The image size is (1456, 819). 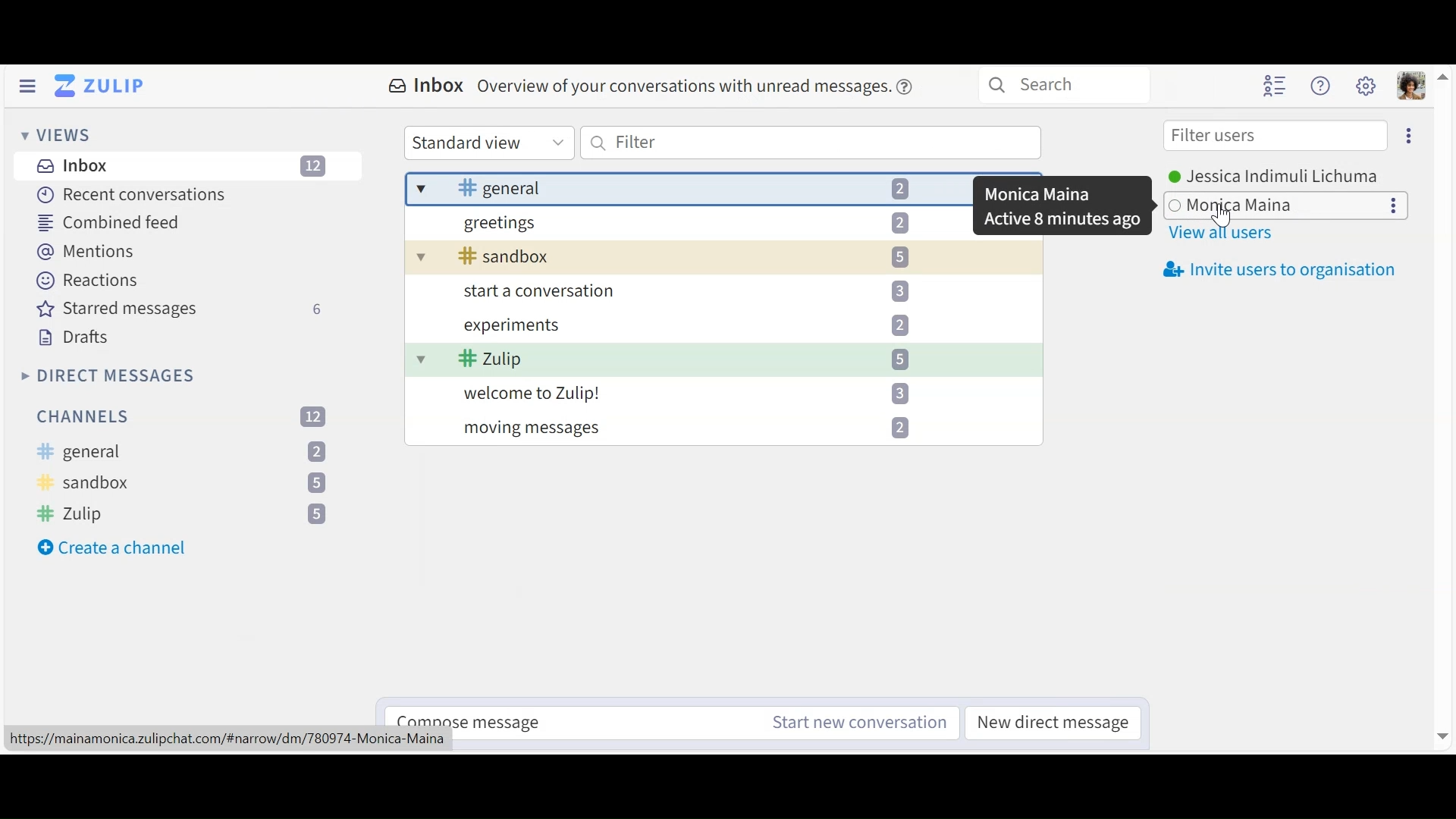 What do you see at coordinates (1366, 86) in the screenshot?
I see `Main user` at bounding box center [1366, 86].